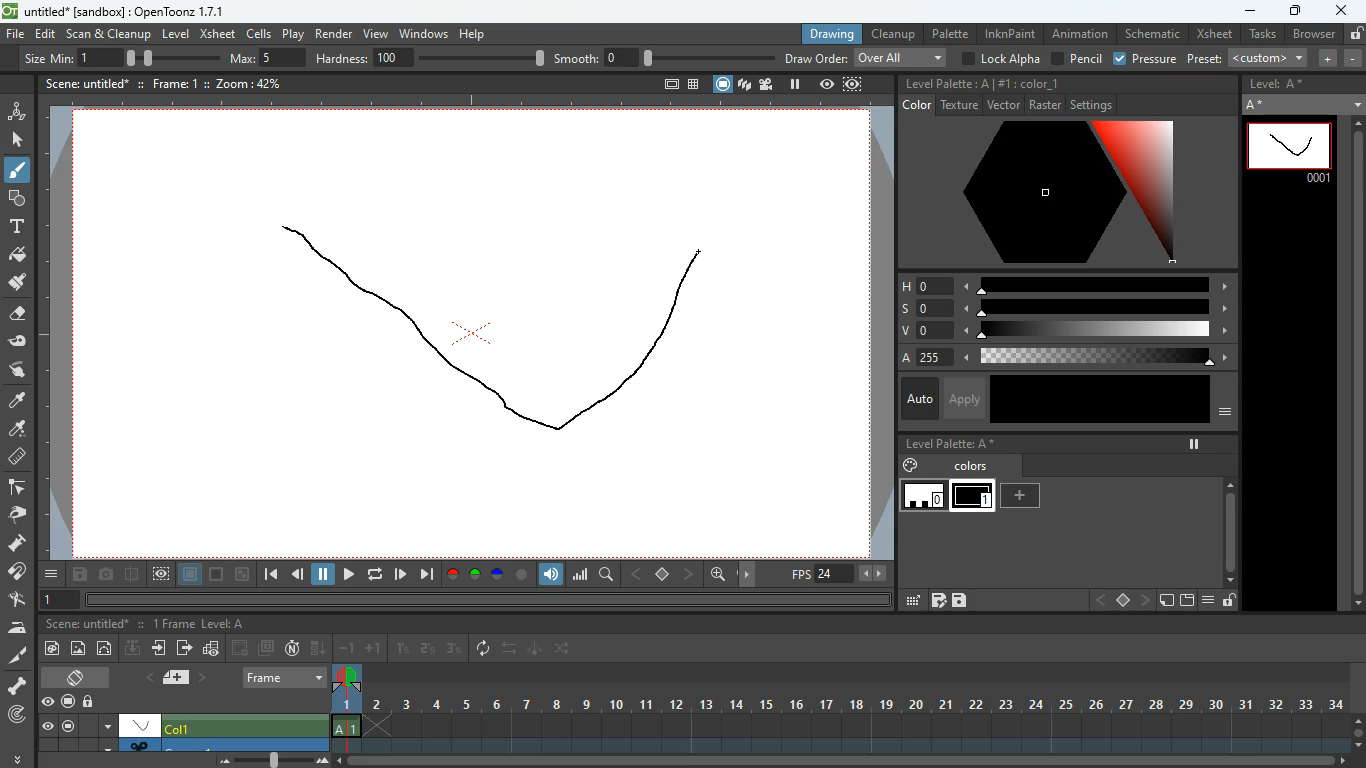 Image resolution: width=1366 pixels, height=768 pixels. What do you see at coordinates (347, 647) in the screenshot?
I see `-1` at bounding box center [347, 647].